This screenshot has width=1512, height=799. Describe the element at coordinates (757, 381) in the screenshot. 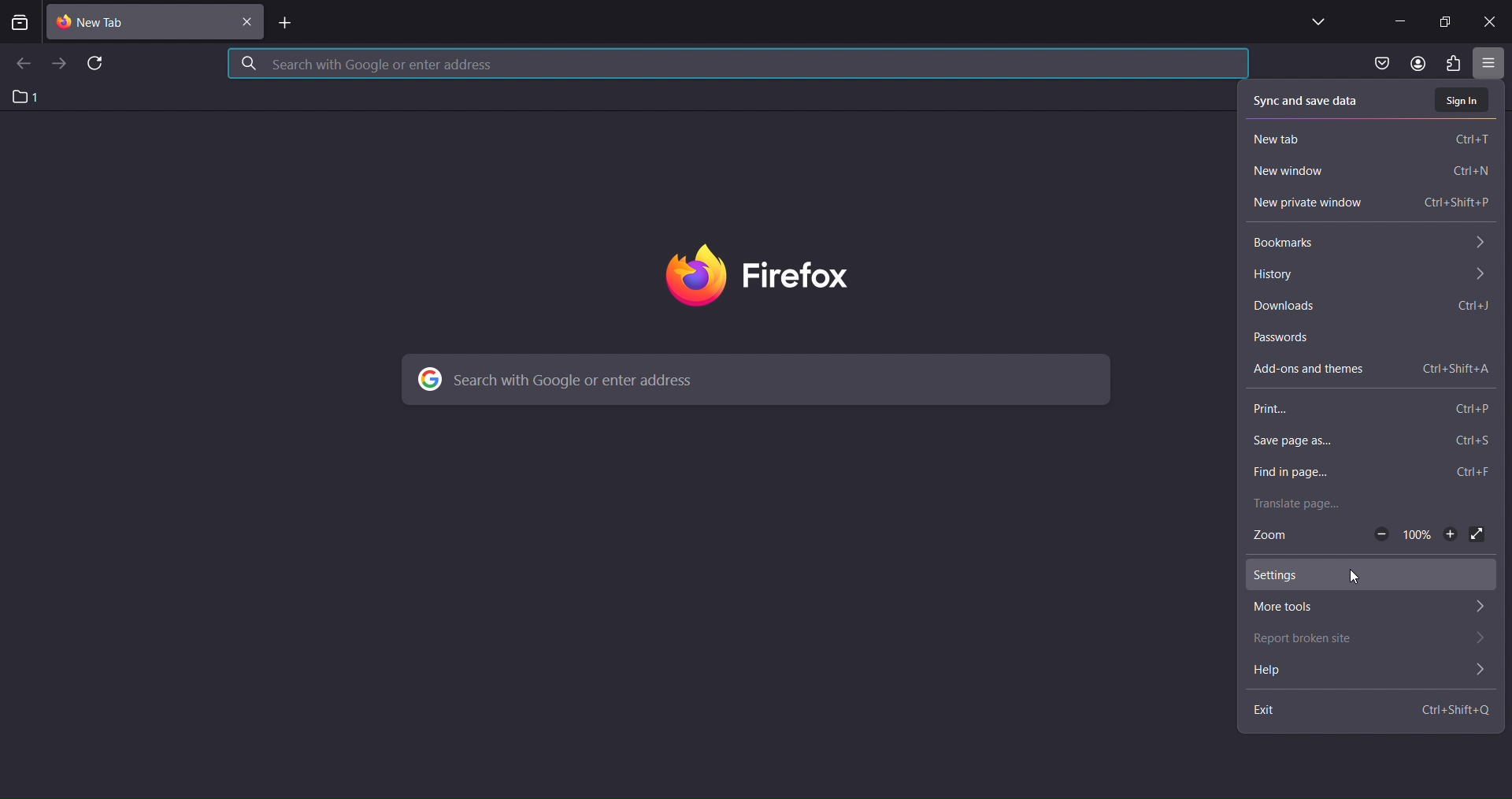

I see `search with google or enter address` at that location.